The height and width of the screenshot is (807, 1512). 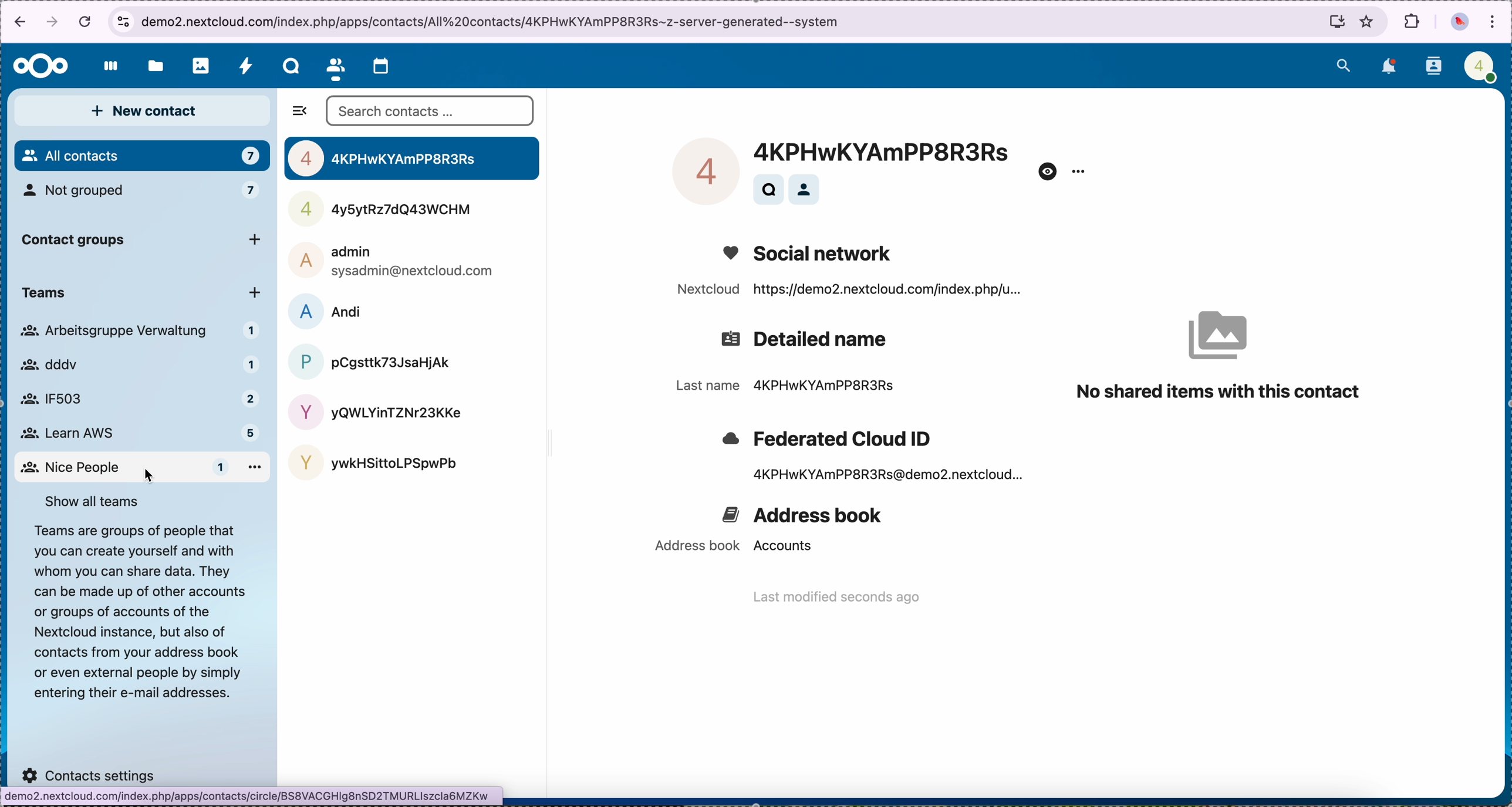 What do you see at coordinates (107, 68) in the screenshot?
I see `dashboard` at bounding box center [107, 68].